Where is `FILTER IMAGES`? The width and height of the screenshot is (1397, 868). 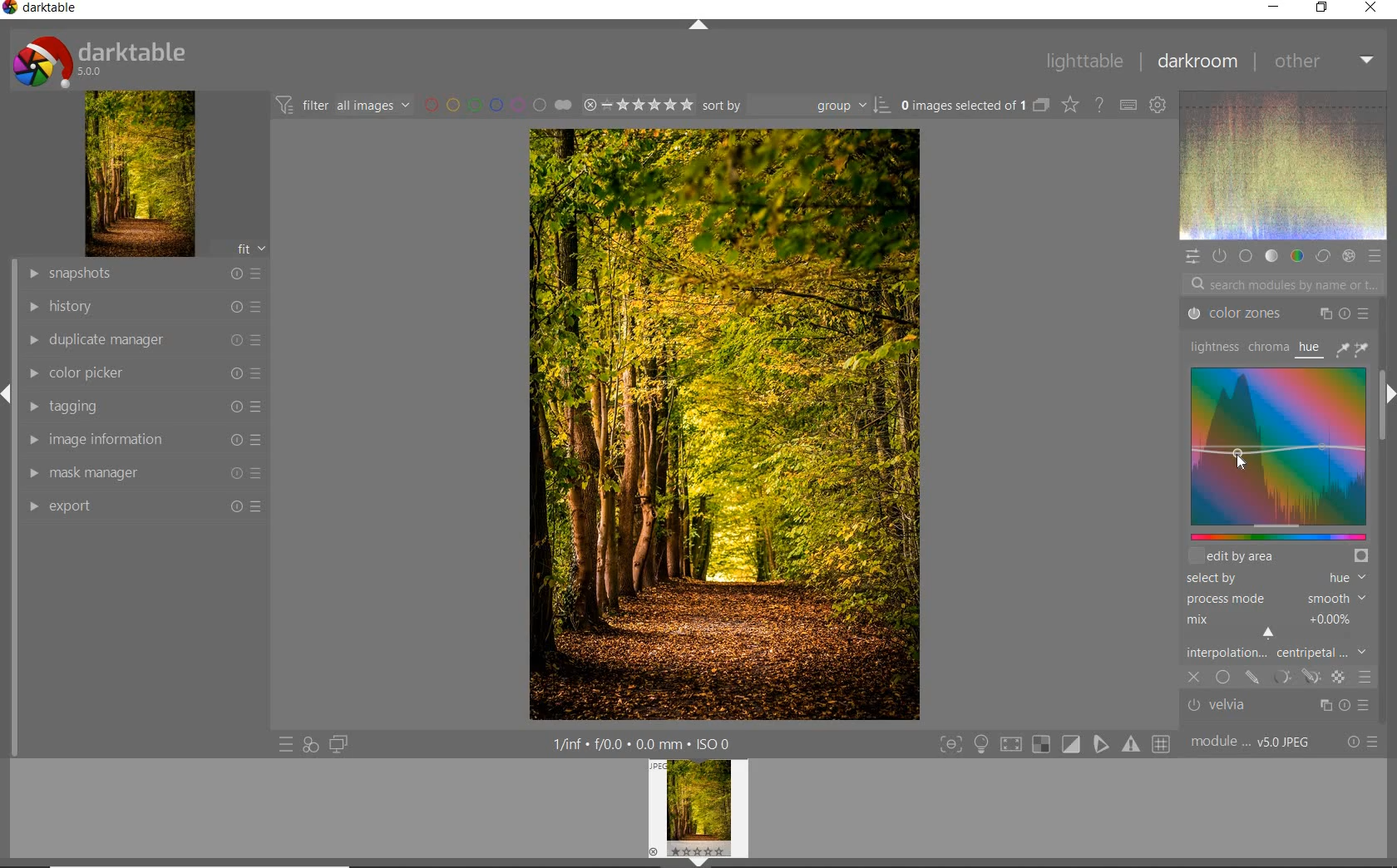 FILTER IMAGES is located at coordinates (343, 105).